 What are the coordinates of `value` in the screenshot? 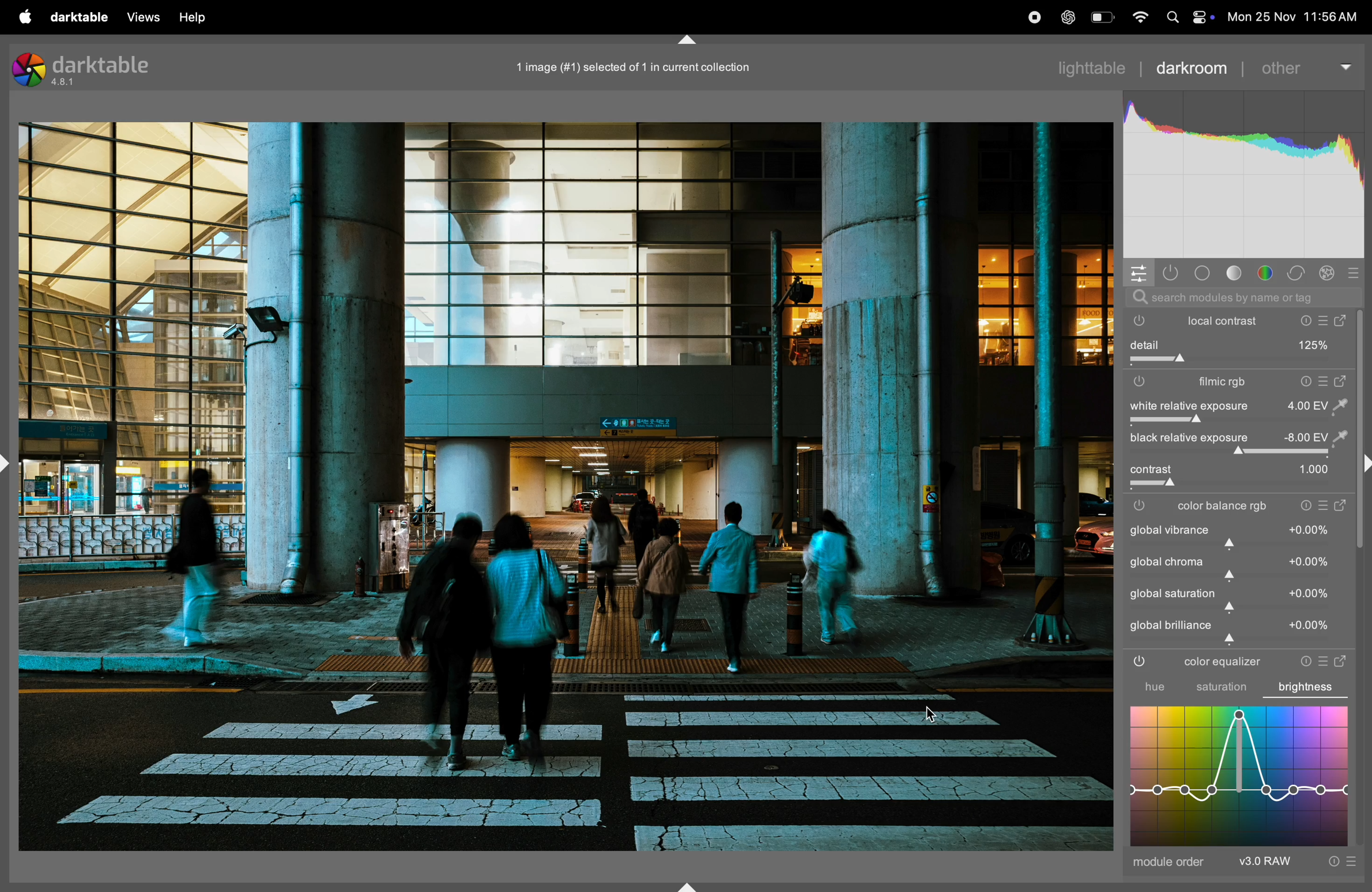 It's located at (1310, 626).